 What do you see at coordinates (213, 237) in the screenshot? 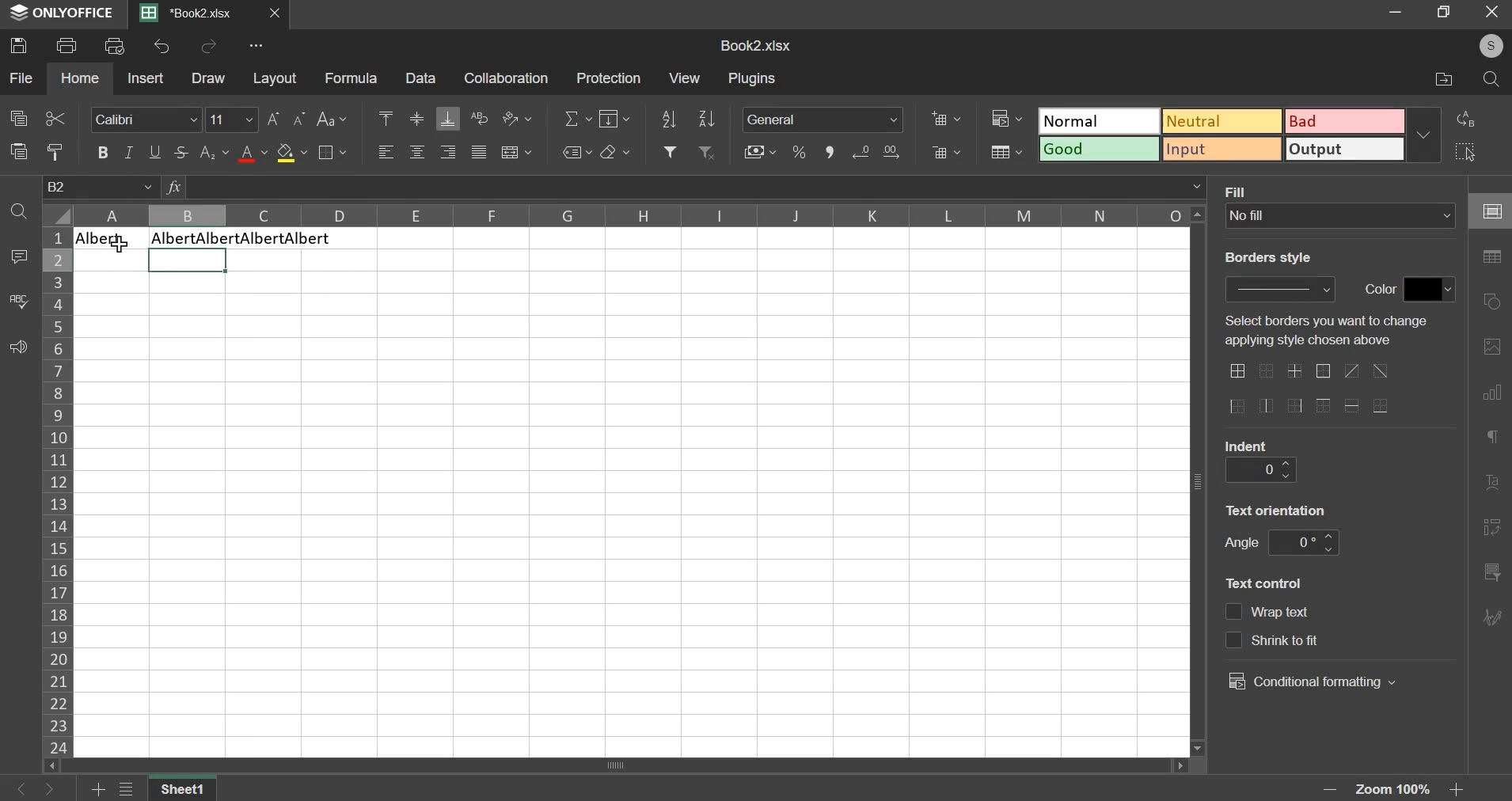
I see `Text` at bounding box center [213, 237].